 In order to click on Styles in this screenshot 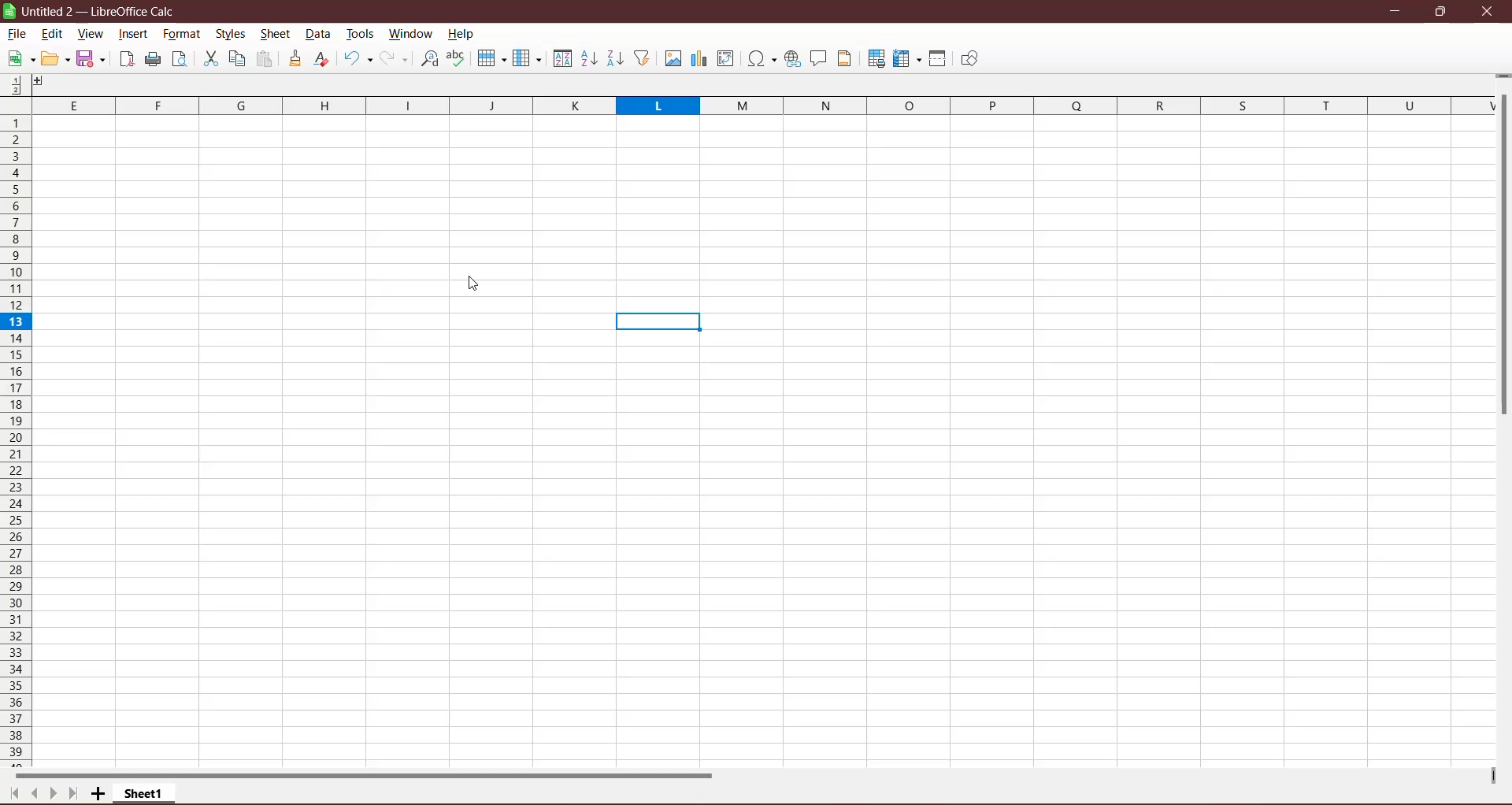, I will do `click(232, 35)`.